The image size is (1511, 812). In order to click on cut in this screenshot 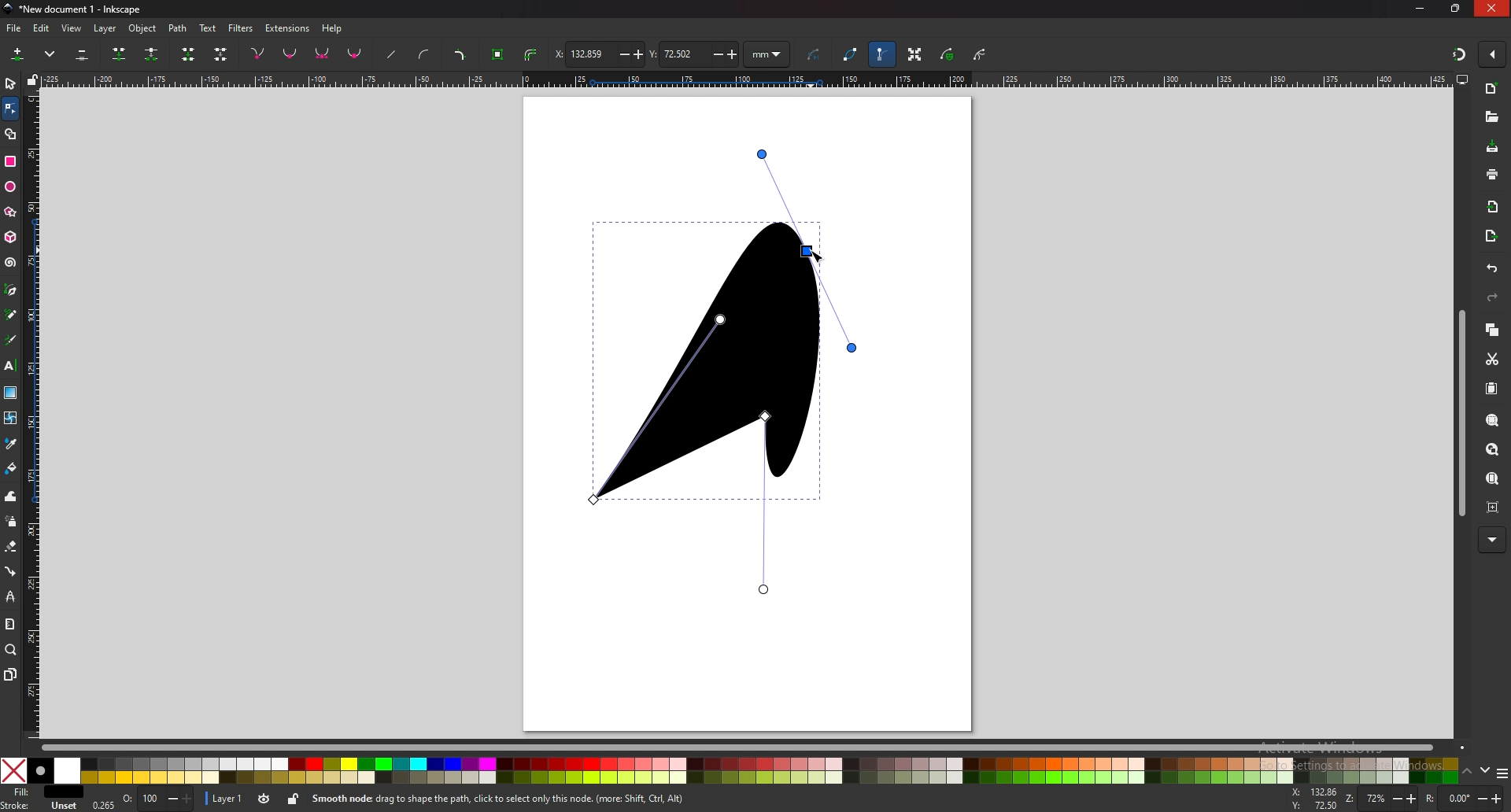, I will do `click(1492, 358)`.